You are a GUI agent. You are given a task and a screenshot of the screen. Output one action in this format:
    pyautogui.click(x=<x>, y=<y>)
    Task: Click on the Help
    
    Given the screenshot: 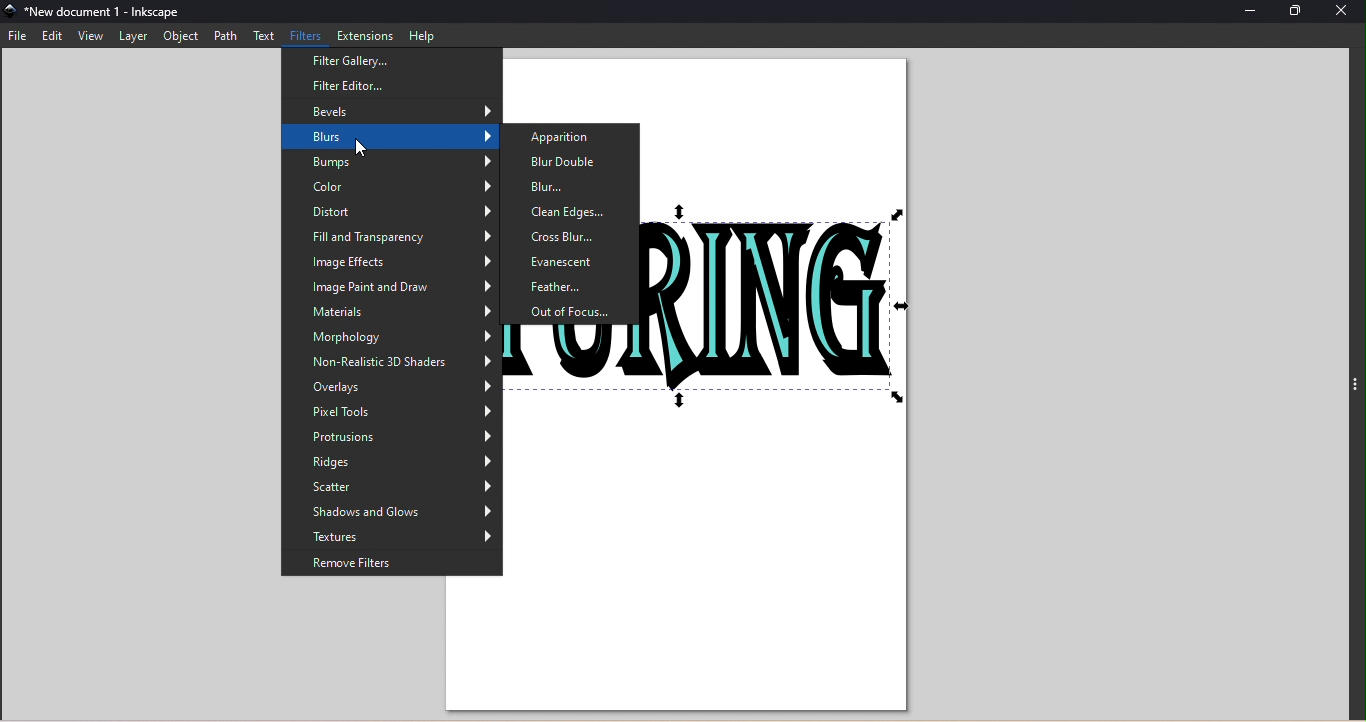 What is the action you would take?
    pyautogui.click(x=423, y=35)
    